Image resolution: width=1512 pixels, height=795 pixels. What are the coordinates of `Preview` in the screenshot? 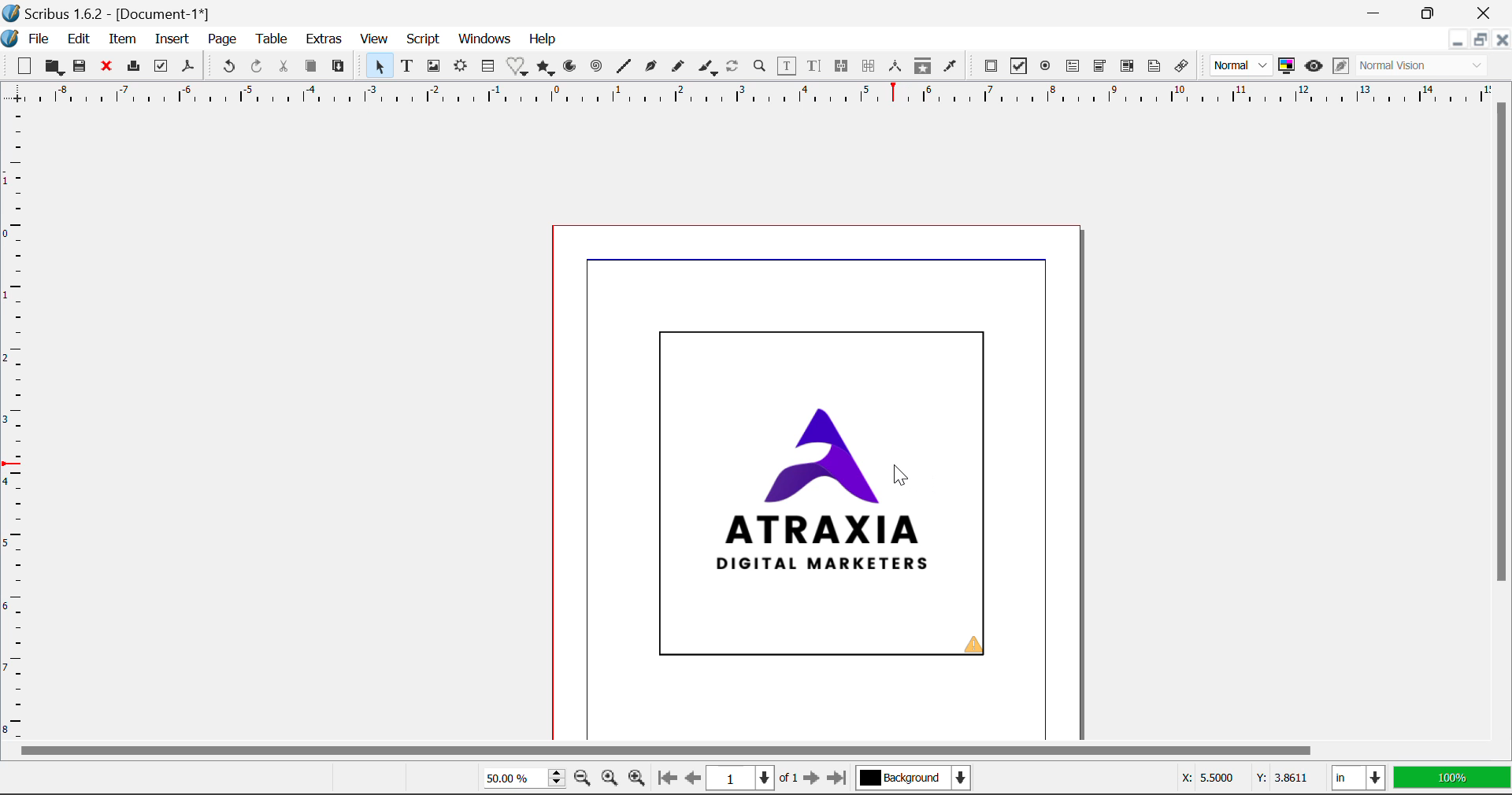 It's located at (1314, 65).